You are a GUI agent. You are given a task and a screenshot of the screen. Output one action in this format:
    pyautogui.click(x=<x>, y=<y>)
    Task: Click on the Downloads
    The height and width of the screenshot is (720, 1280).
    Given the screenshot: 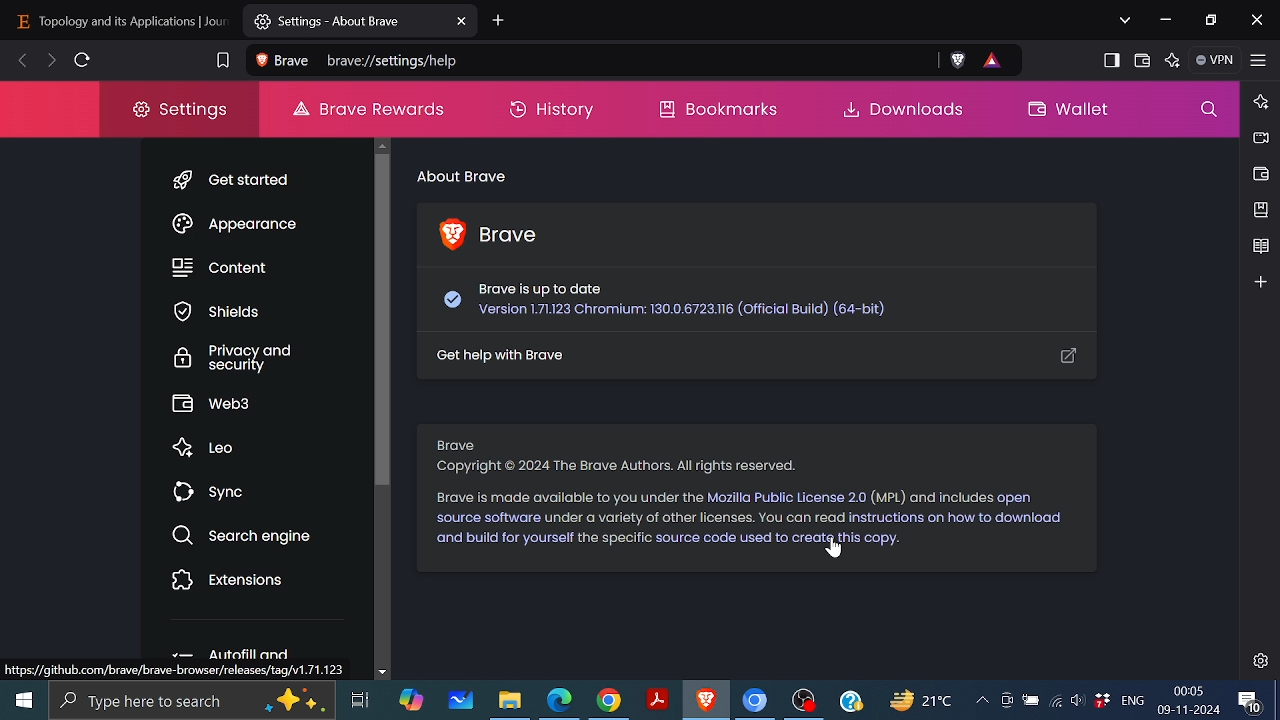 What is the action you would take?
    pyautogui.click(x=904, y=111)
    